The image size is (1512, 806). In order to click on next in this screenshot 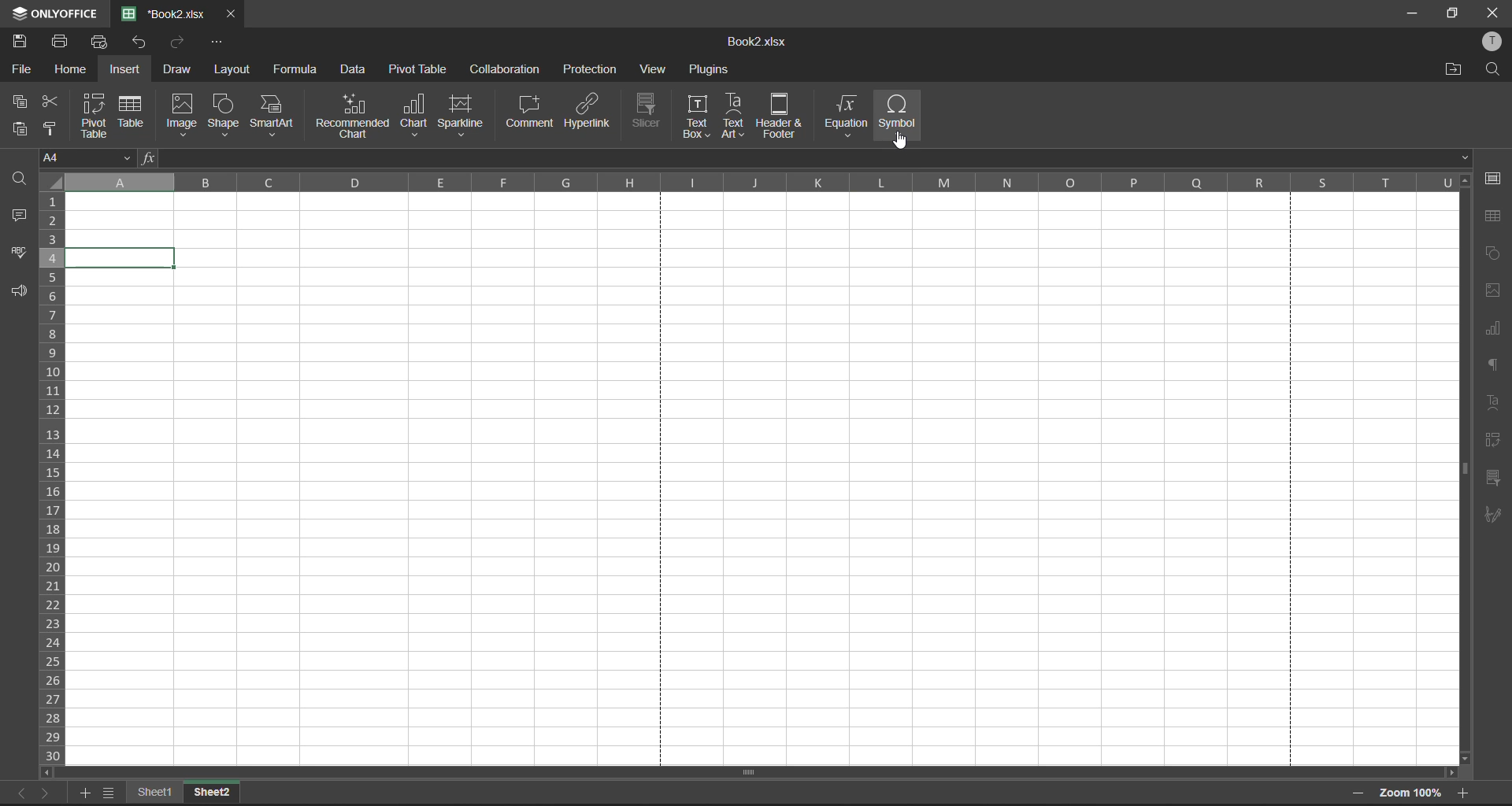, I will do `click(46, 793)`.